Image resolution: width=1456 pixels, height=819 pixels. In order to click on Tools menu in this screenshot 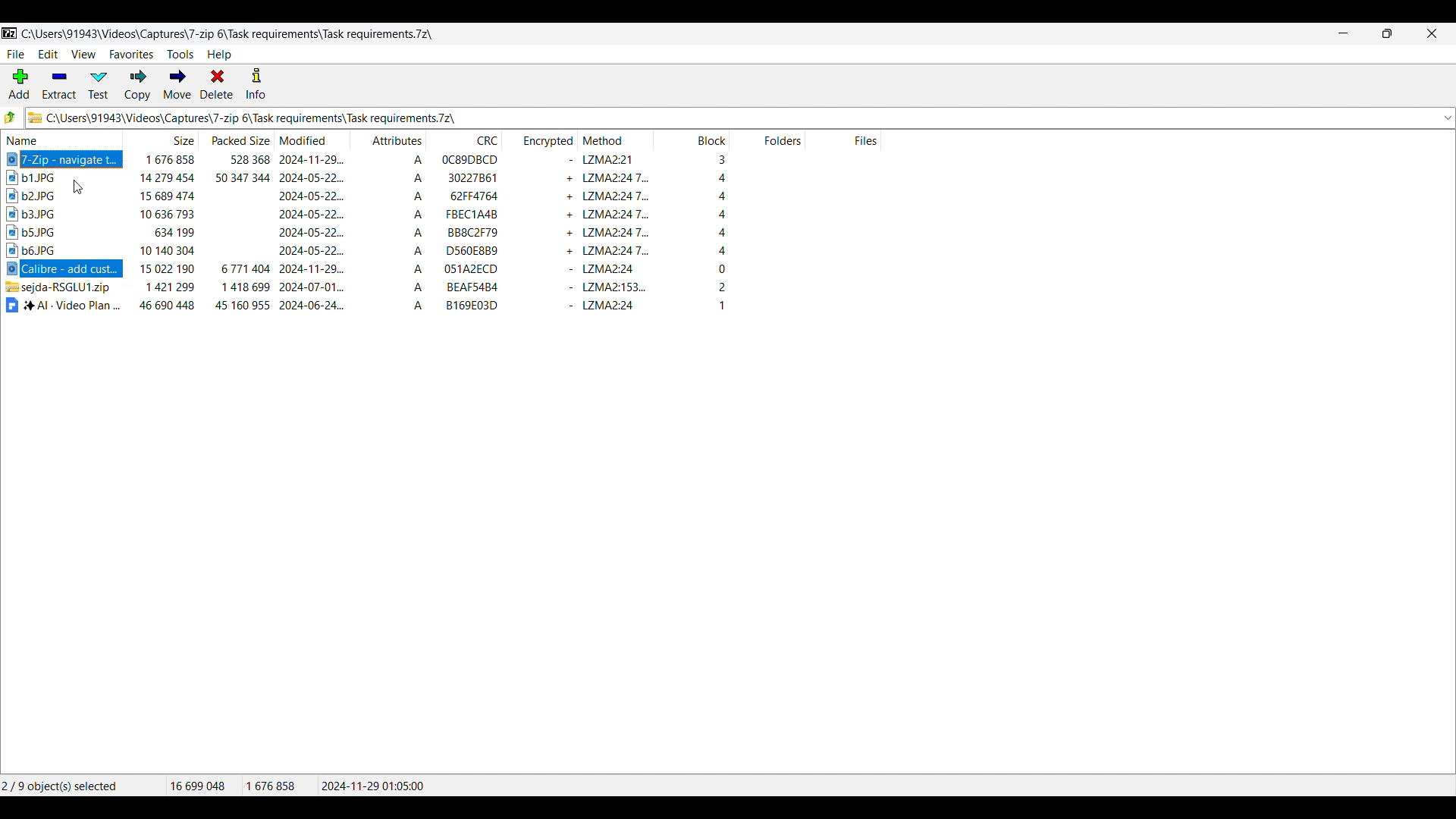, I will do `click(180, 55)`.